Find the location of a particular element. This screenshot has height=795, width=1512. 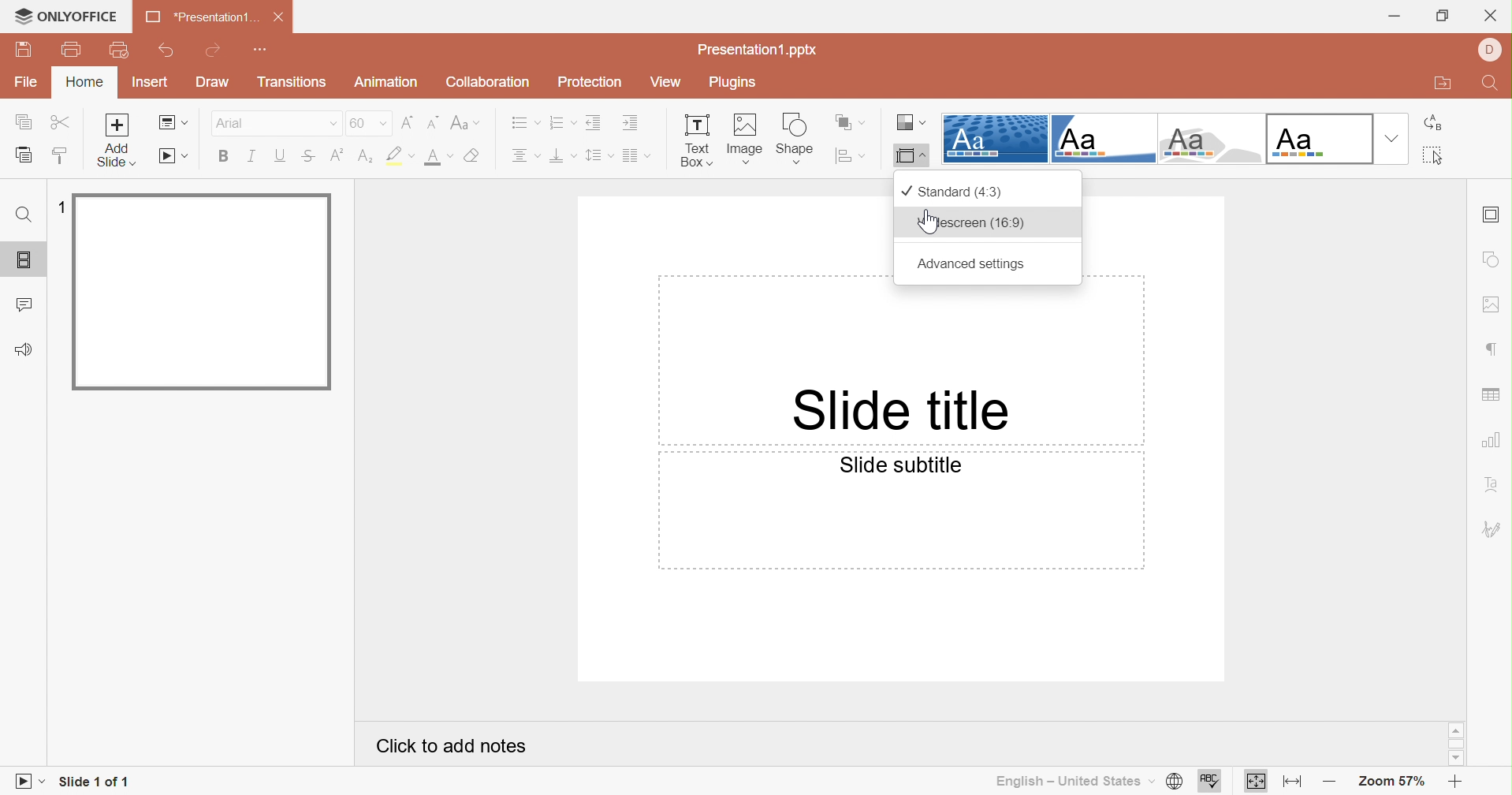

Table settings is located at coordinates (1492, 396).